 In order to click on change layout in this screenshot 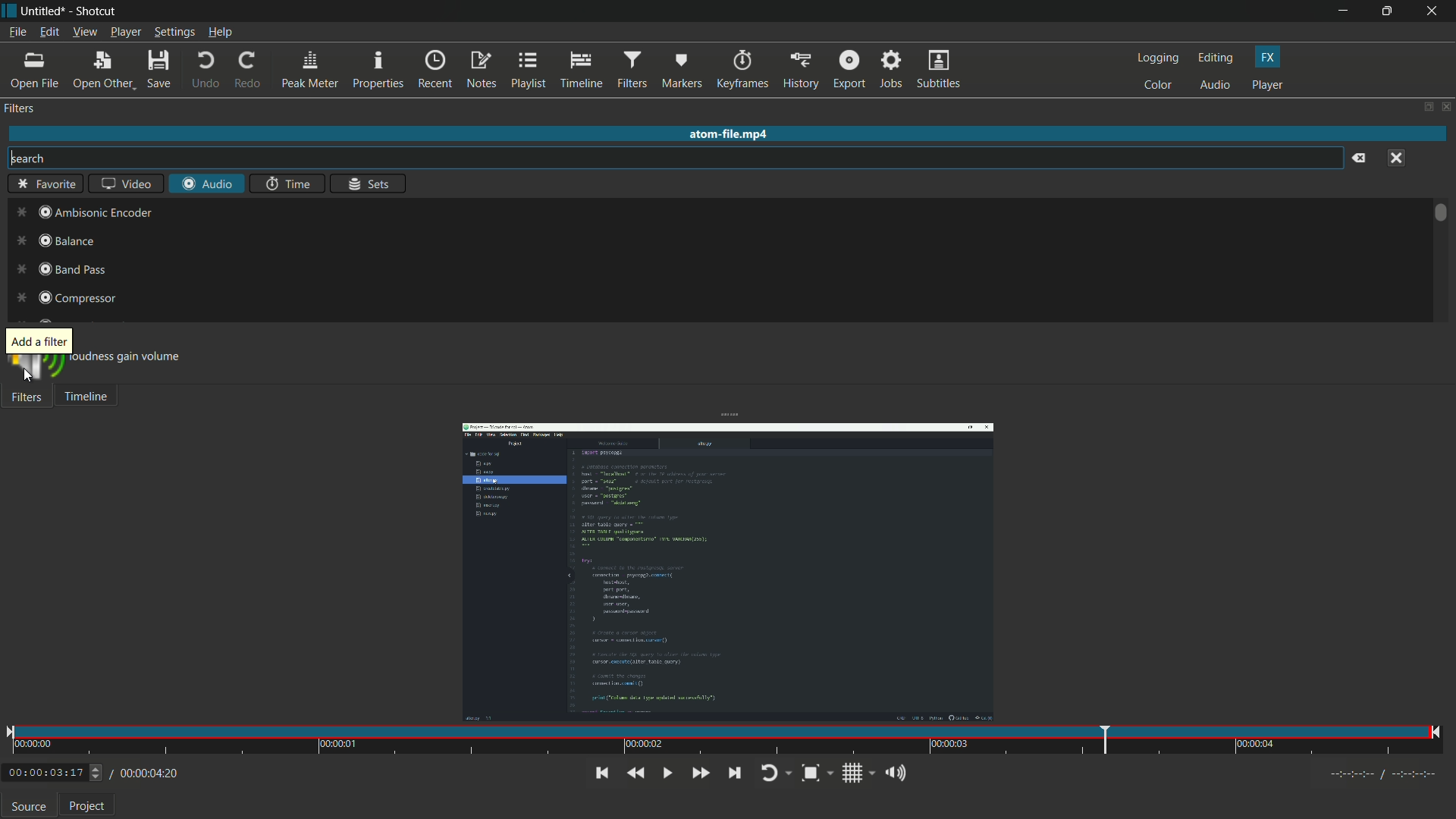, I will do `click(1423, 106)`.